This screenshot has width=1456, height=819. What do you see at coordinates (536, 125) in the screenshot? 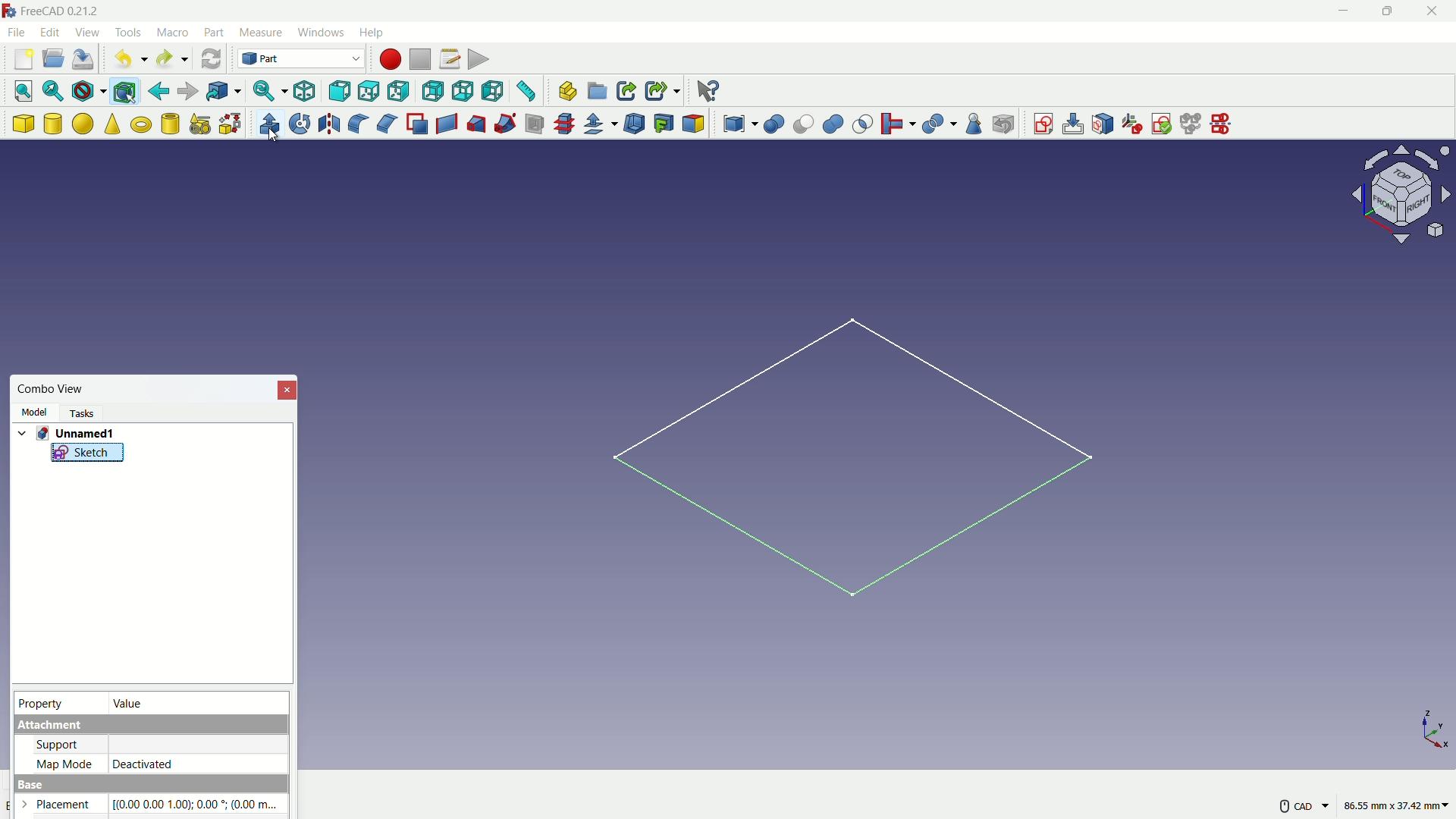
I see `section` at bounding box center [536, 125].